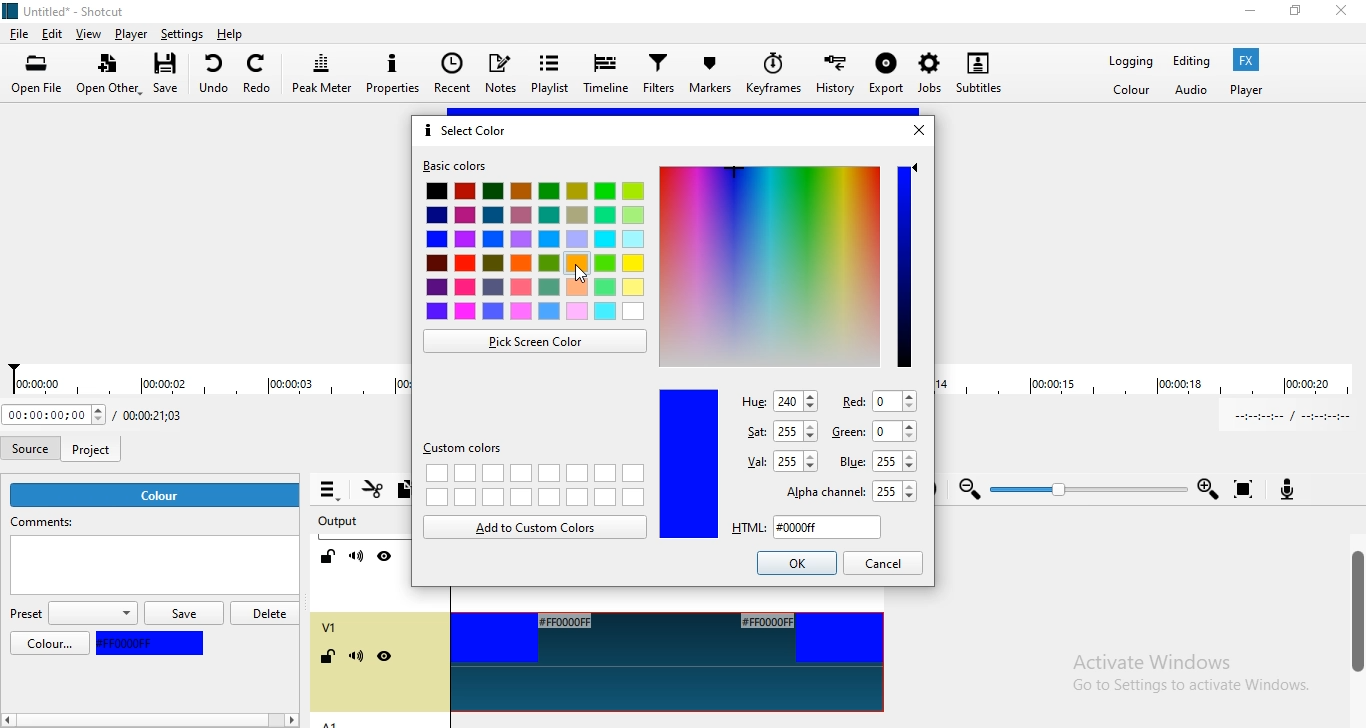 This screenshot has width=1366, height=728. Describe the element at coordinates (661, 607) in the screenshot. I see `Video track` at that location.